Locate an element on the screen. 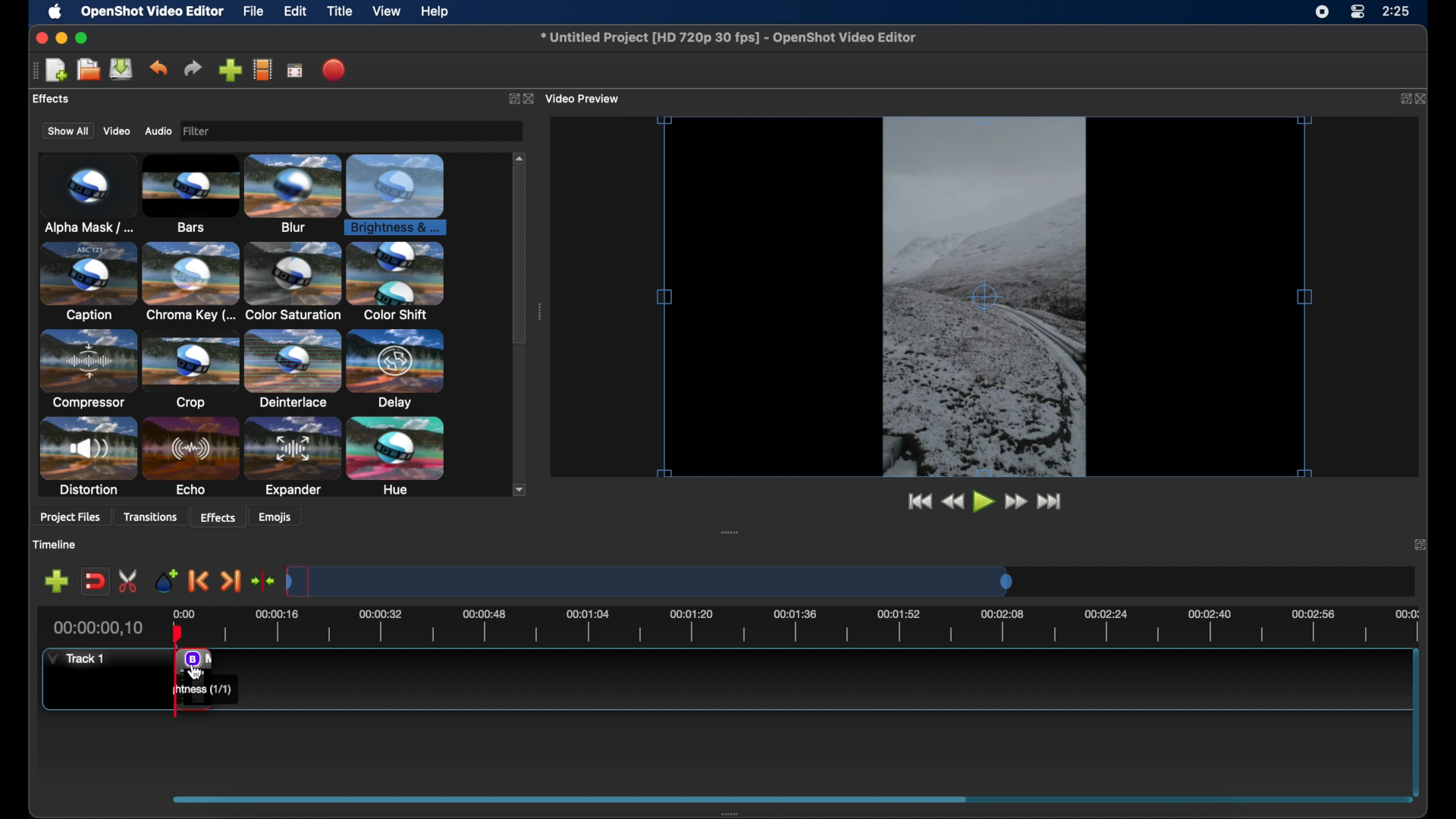 This screenshot has height=819, width=1456. playhead is located at coordinates (177, 632).